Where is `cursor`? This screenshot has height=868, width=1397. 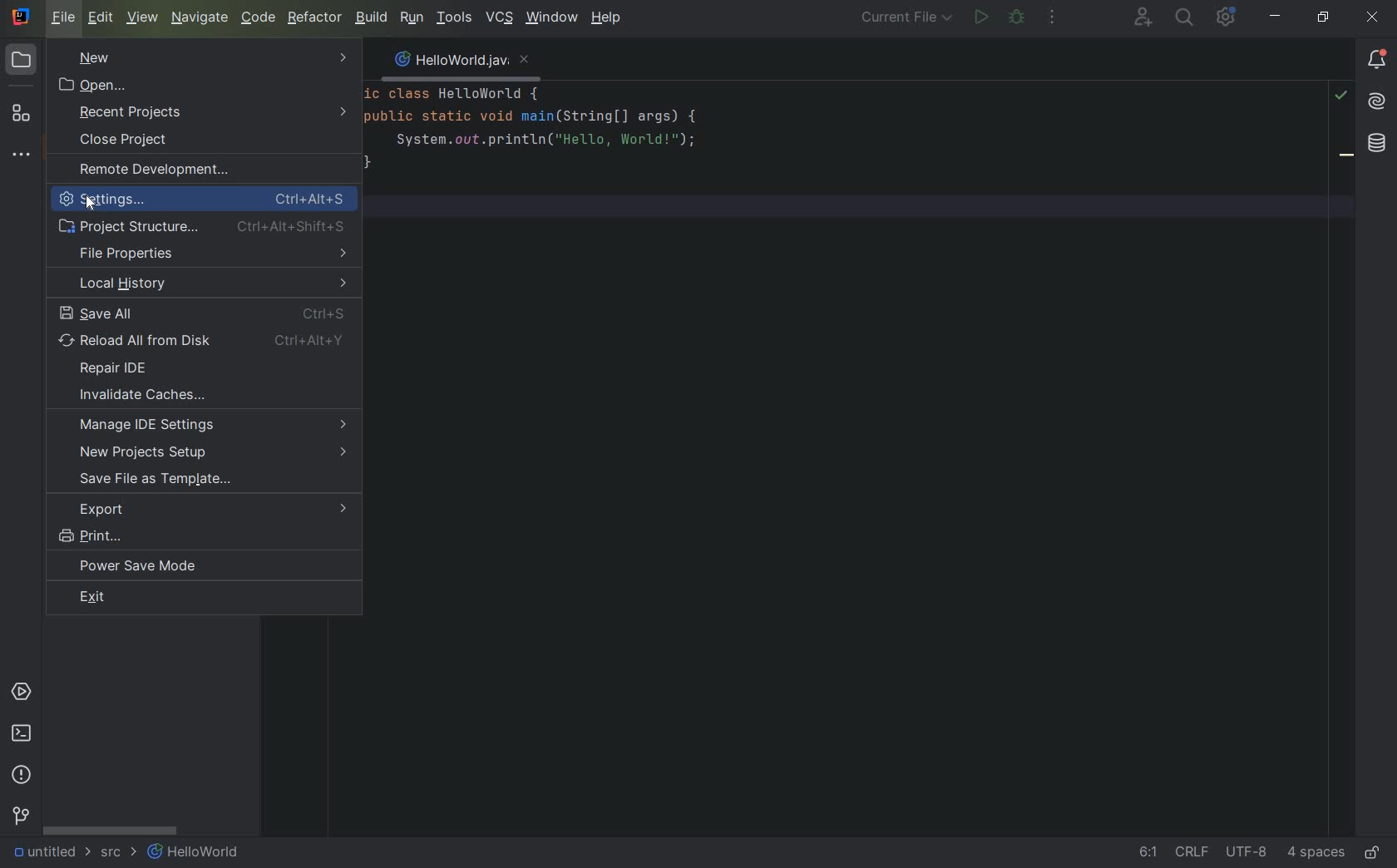 cursor is located at coordinates (88, 205).